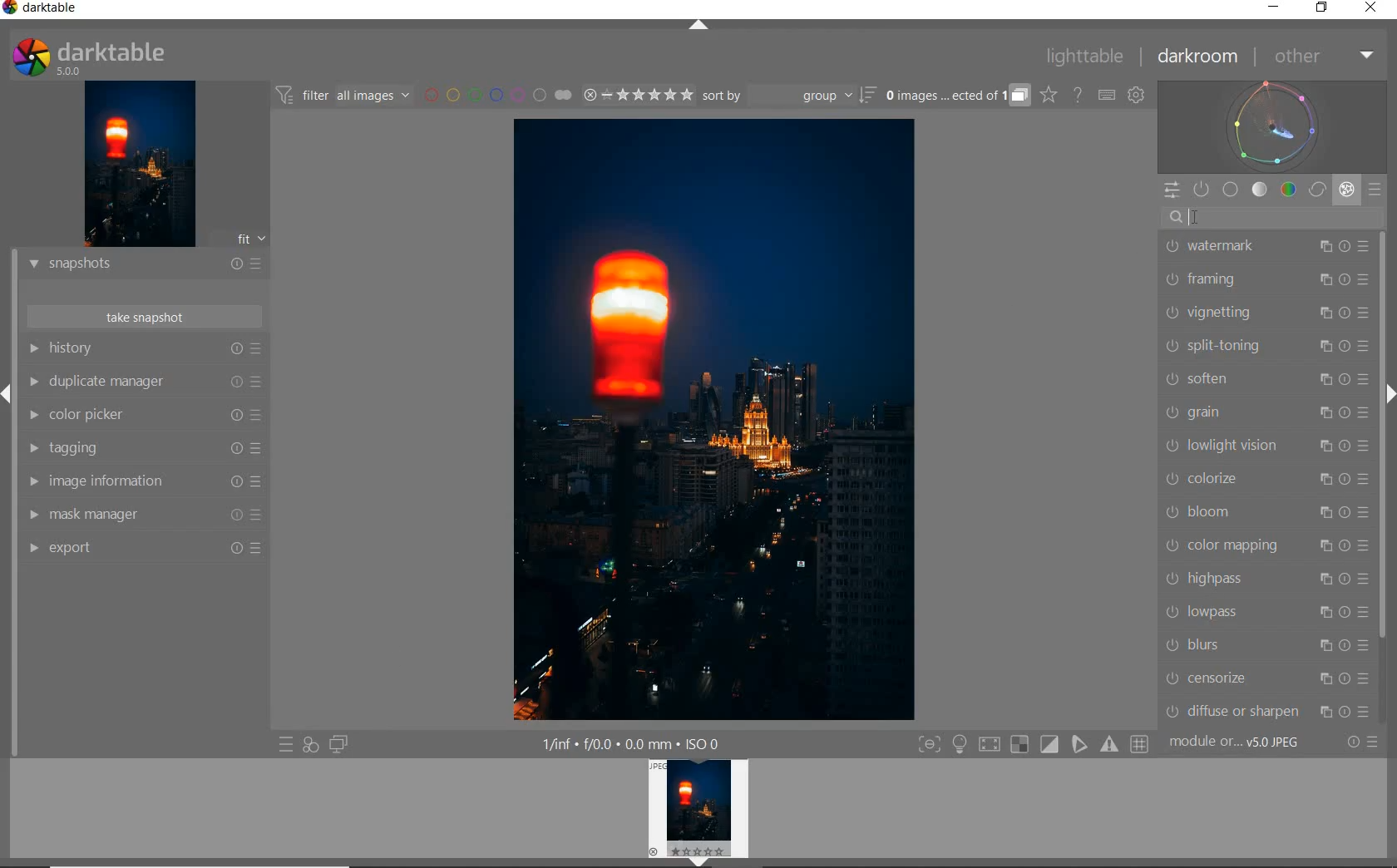  What do you see at coordinates (1317, 412) in the screenshot?
I see `Multiple instance` at bounding box center [1317, 412].